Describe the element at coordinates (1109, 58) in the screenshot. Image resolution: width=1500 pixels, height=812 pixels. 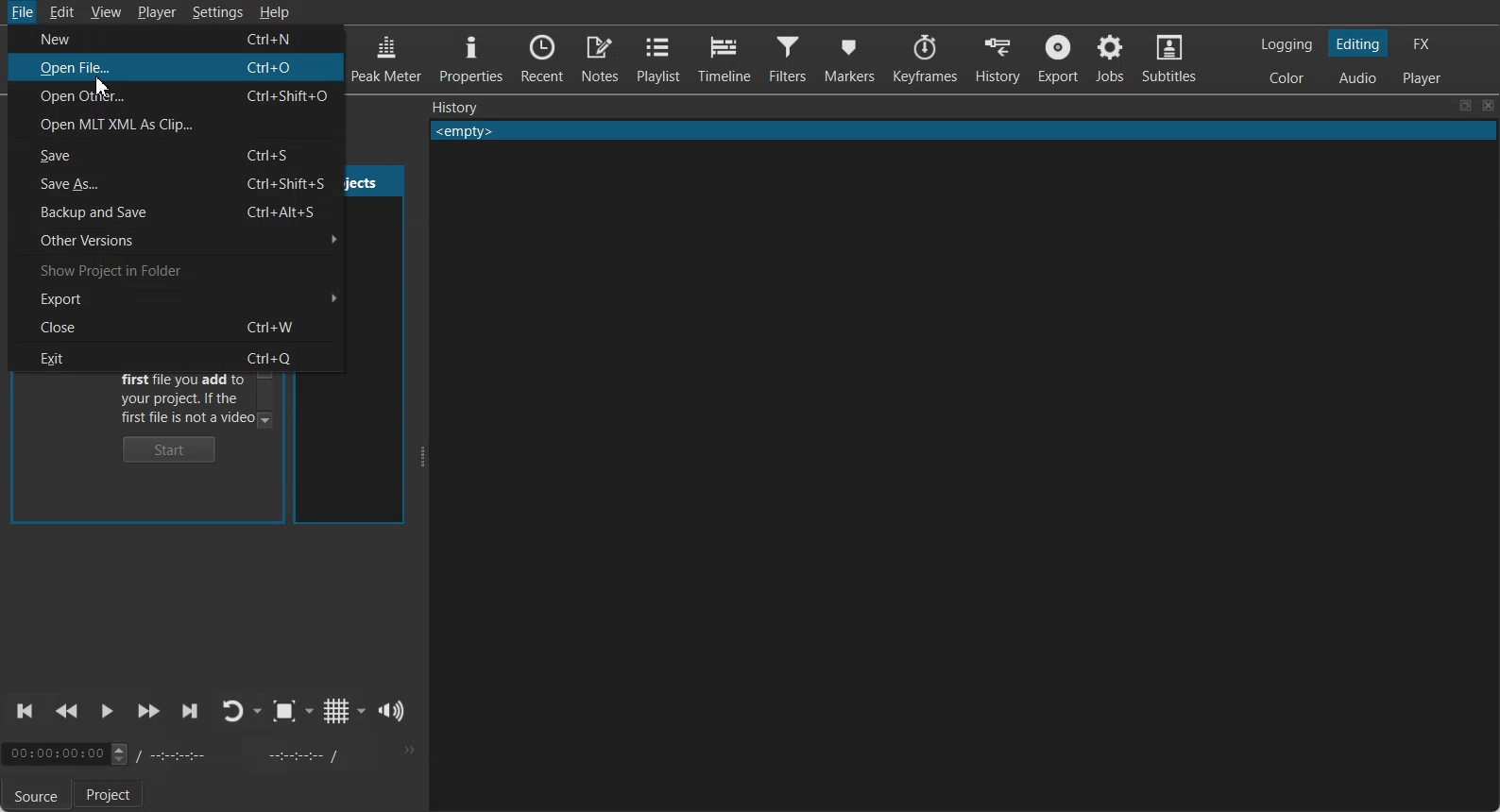
I see `Jobs` at that location.